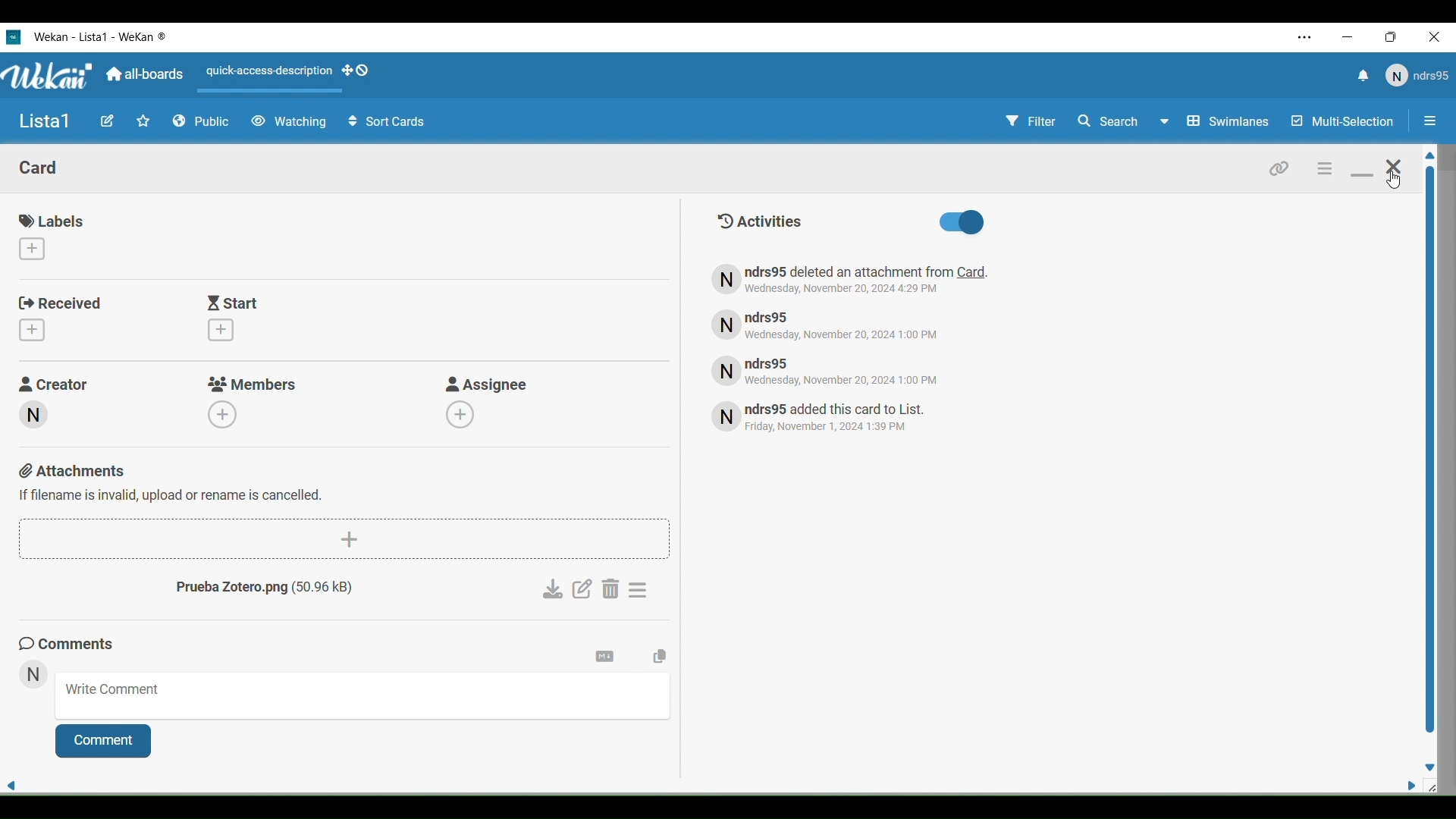 This screenshot has width=1456, height=819. What do you see at coordinates (344, 540) in the screenshot?
I see `Add attachments button` at bounding box center [344, 540].